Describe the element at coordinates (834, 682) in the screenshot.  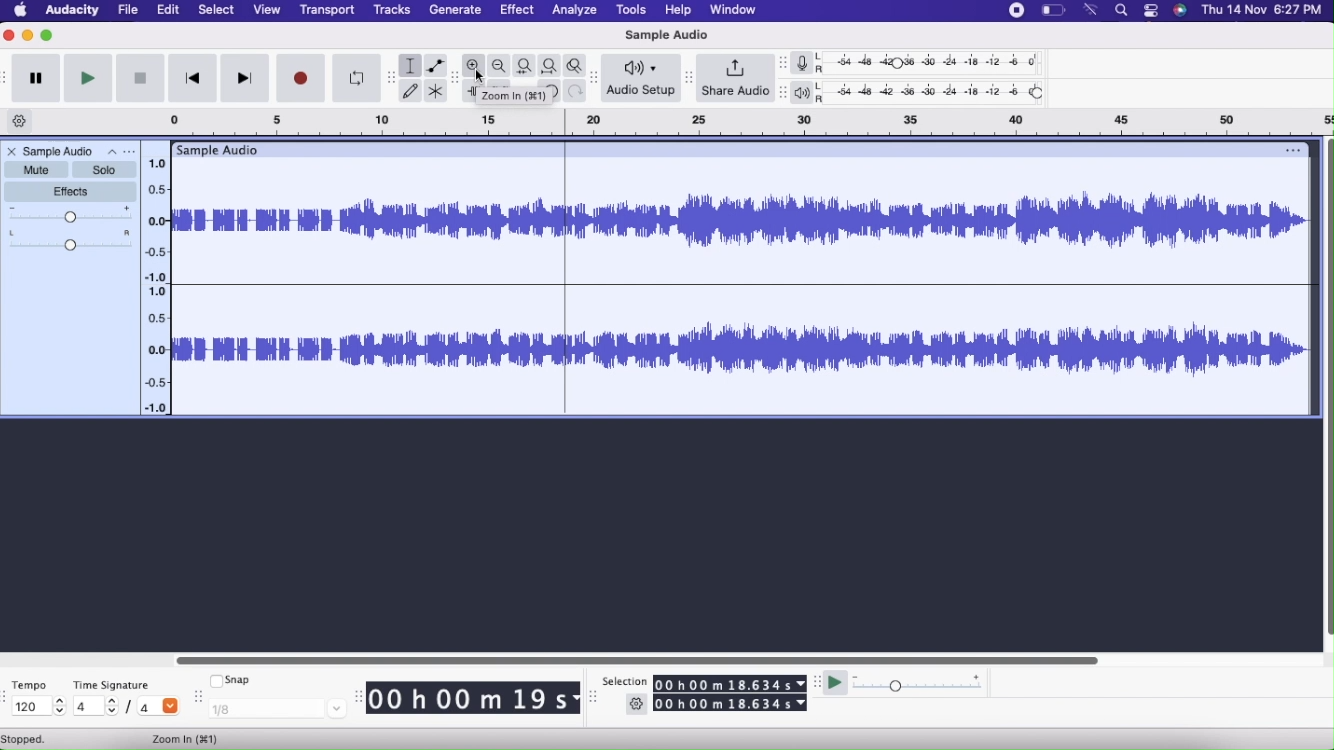
I see `Play at speed` at that location.